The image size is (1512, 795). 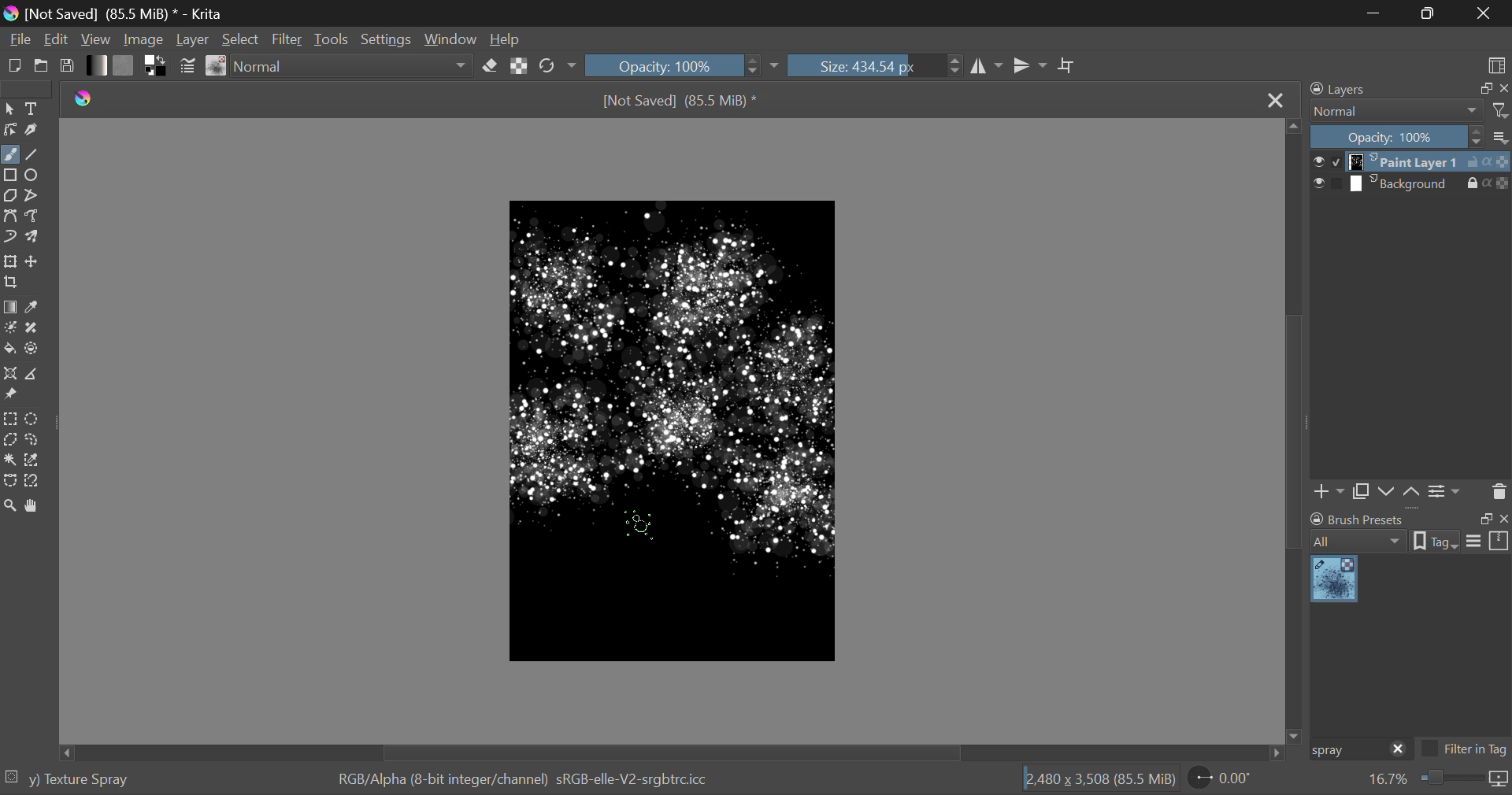 I want to click on Measurements, so click(x=30, y=375).